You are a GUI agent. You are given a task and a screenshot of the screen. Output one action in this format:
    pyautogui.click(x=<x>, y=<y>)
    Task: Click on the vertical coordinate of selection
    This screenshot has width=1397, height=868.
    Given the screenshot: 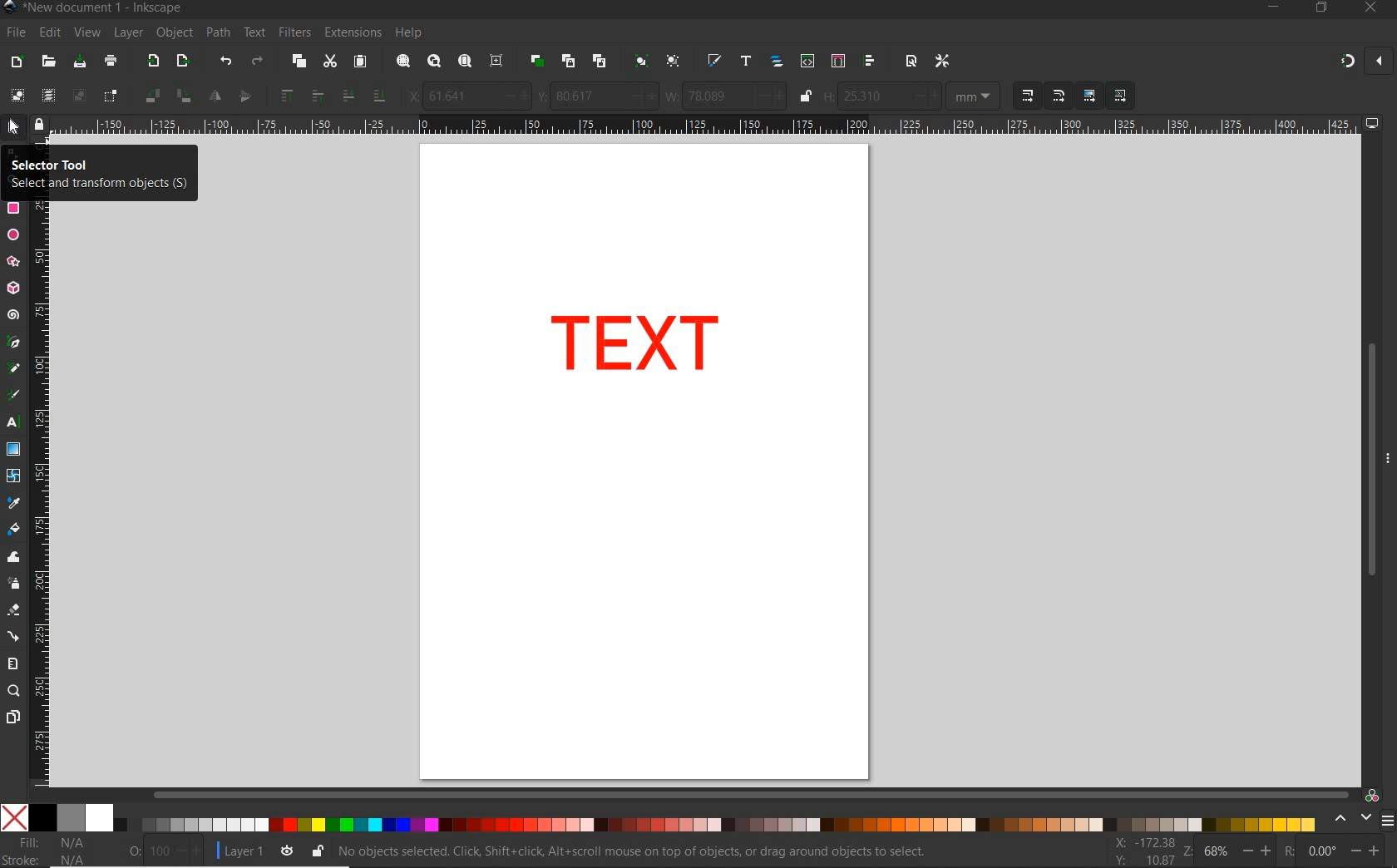 What is the action you would take?
    pyautogui.click(x=596, y=96)
    